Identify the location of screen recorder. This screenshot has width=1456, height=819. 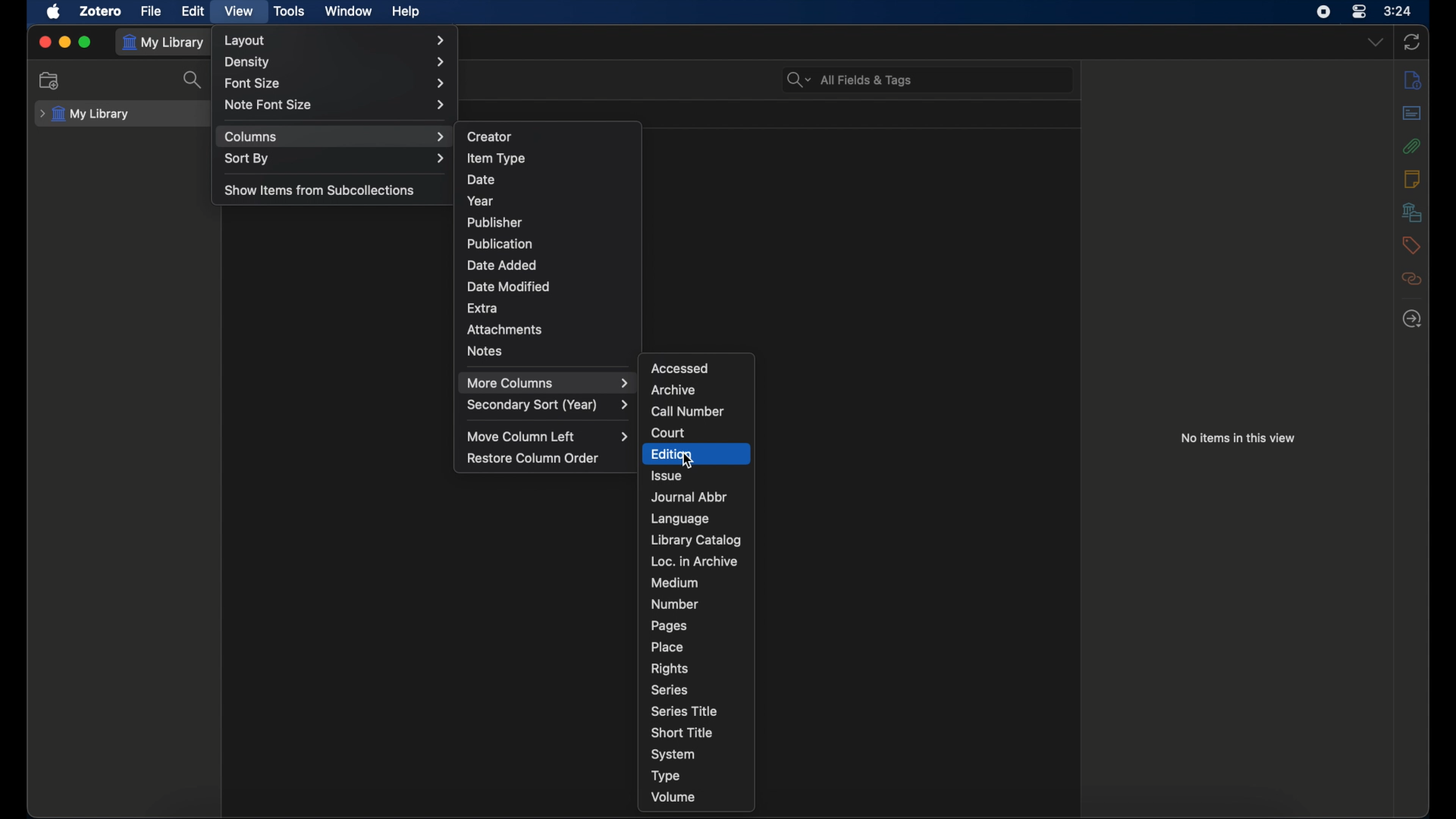
(1323, 12).